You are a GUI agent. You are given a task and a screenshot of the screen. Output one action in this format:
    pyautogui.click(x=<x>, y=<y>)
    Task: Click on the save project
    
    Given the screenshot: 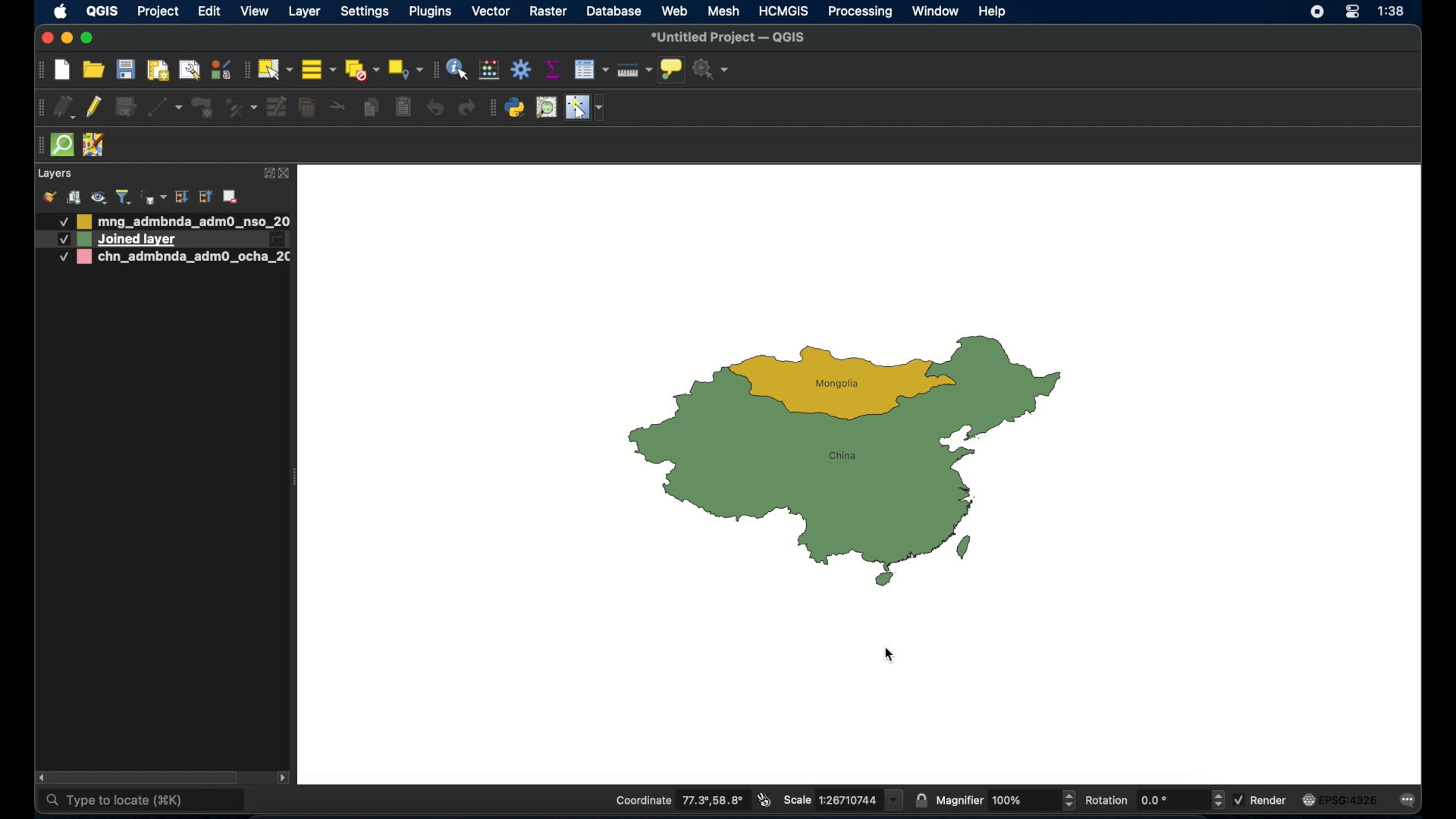 What is the action you would take?
    pyautogui.click(x=127, y=69)
    